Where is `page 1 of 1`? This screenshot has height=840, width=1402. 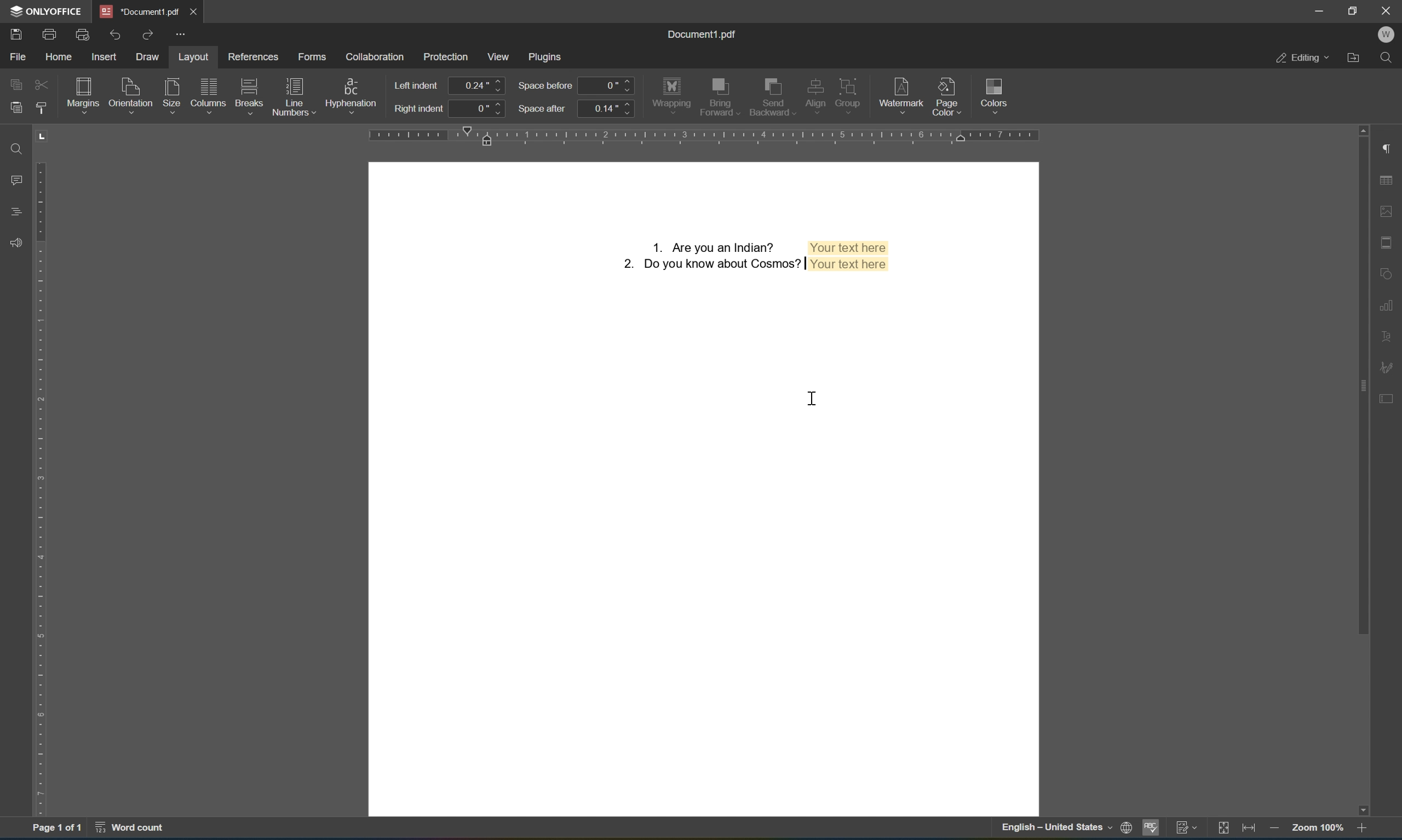
page 1 of 1 is located at coordinates (57, 829).